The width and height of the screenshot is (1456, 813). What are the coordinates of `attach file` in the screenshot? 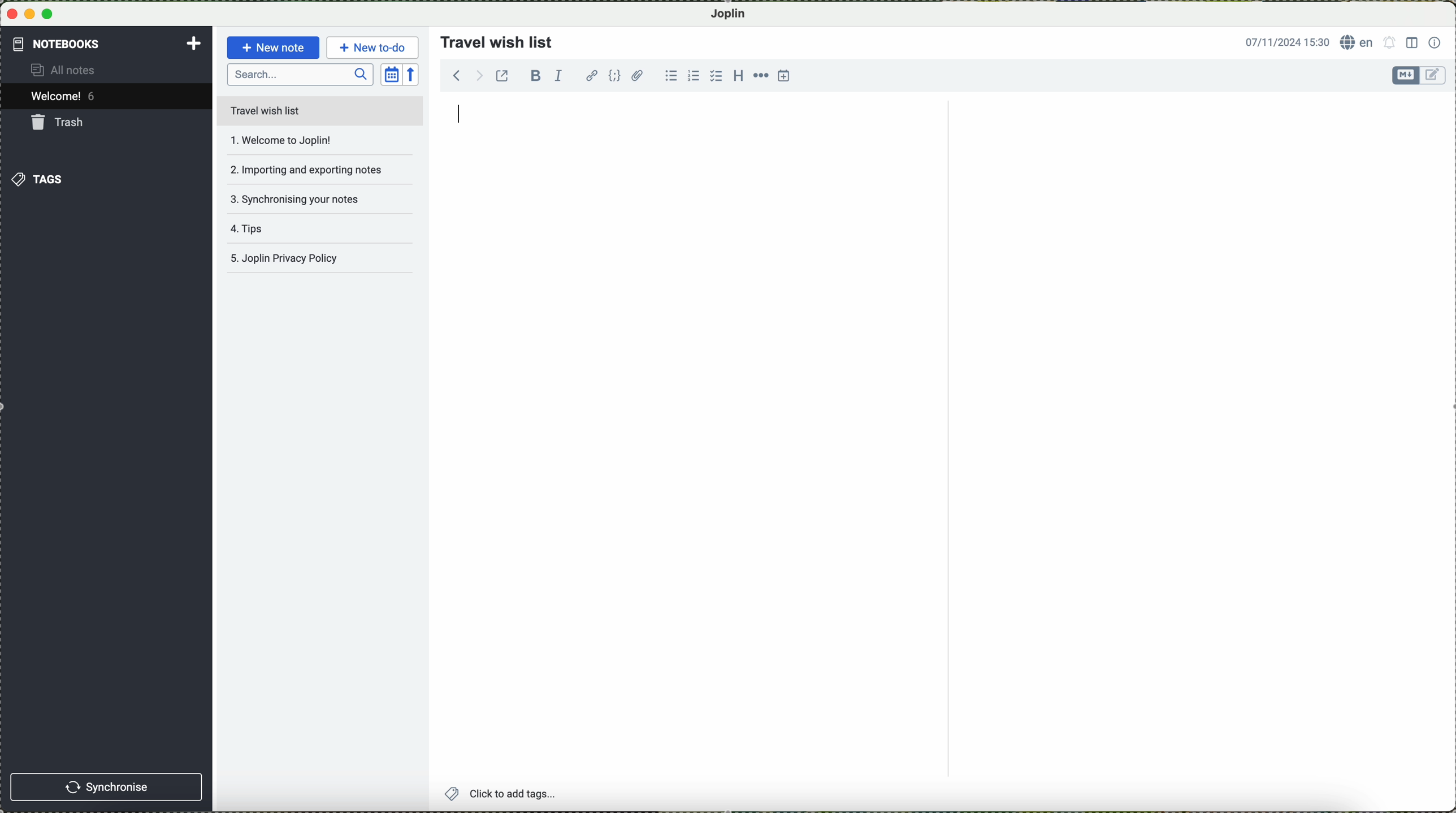 It's located at (638, 75).